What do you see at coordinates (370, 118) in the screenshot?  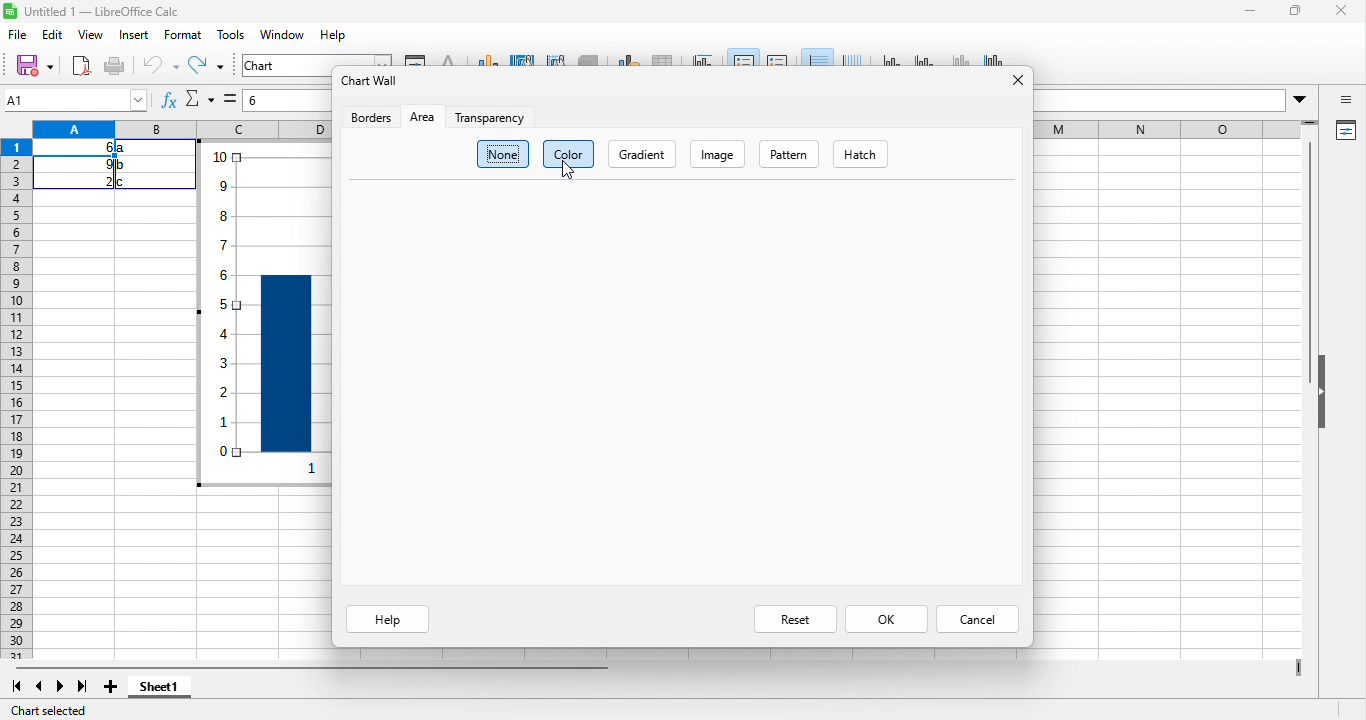 I see `borders` at bounding box center [370, 118].